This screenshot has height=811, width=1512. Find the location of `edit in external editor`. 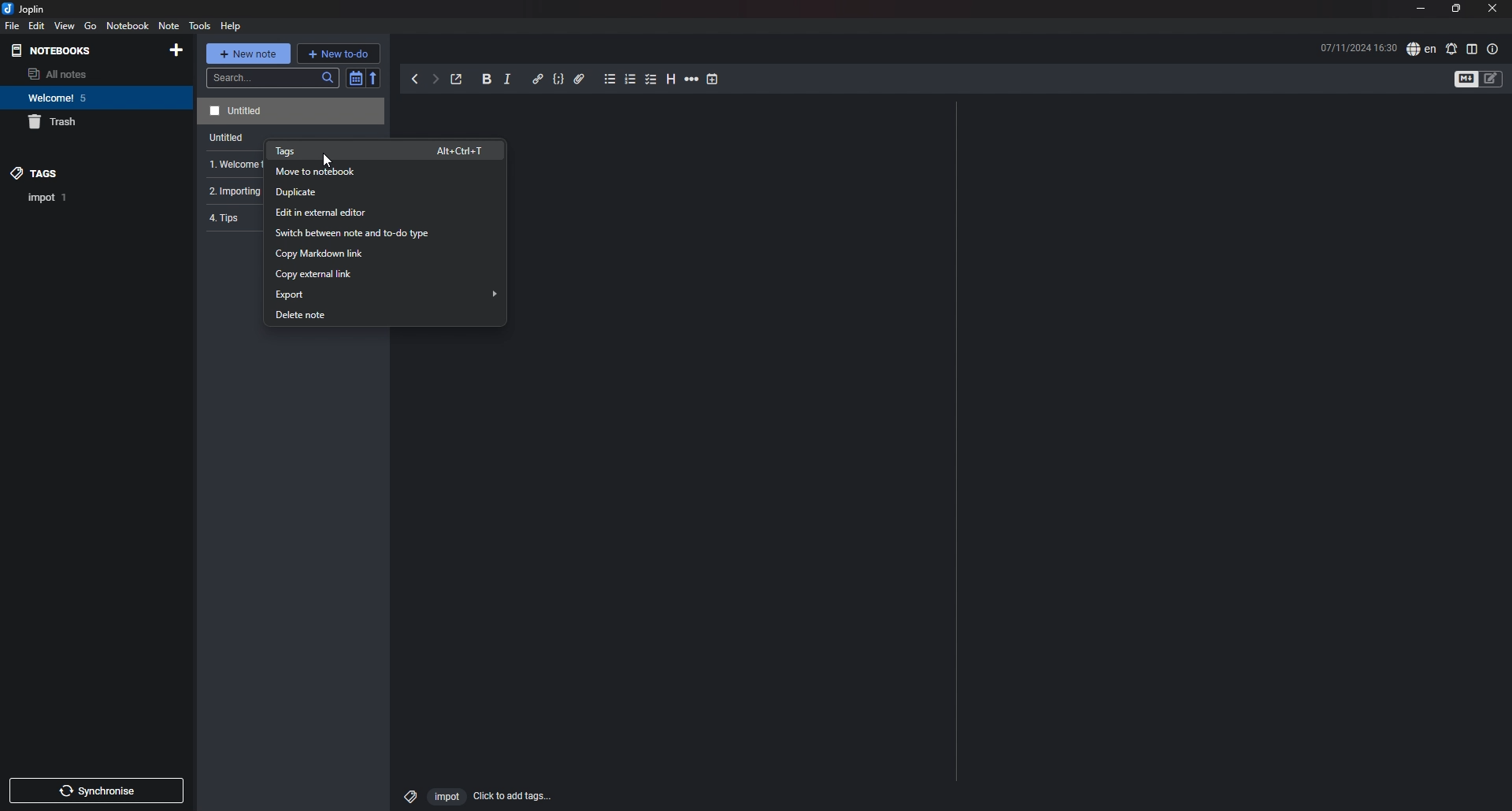

edit in external editor is located at coordinates (383, 212).